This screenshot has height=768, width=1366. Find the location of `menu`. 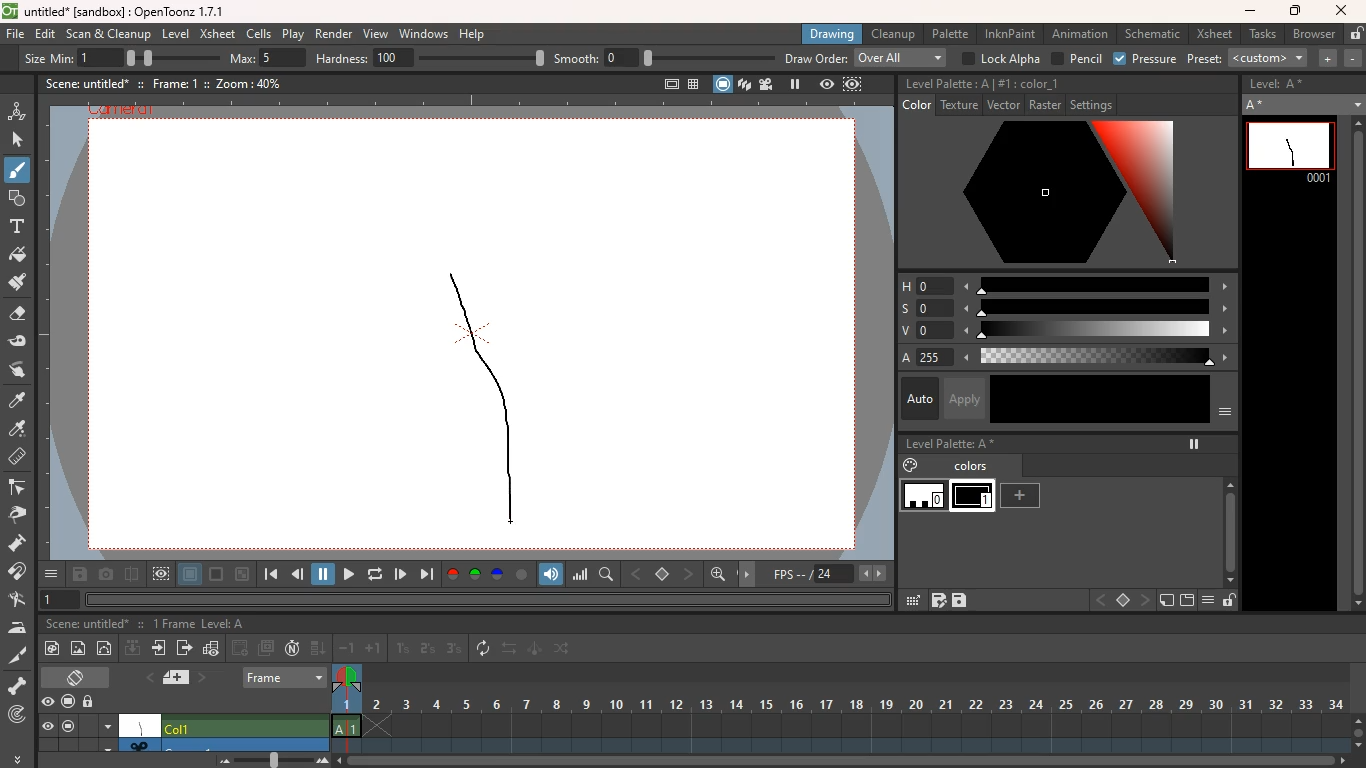

menu is located at coordinates (1212, 601).